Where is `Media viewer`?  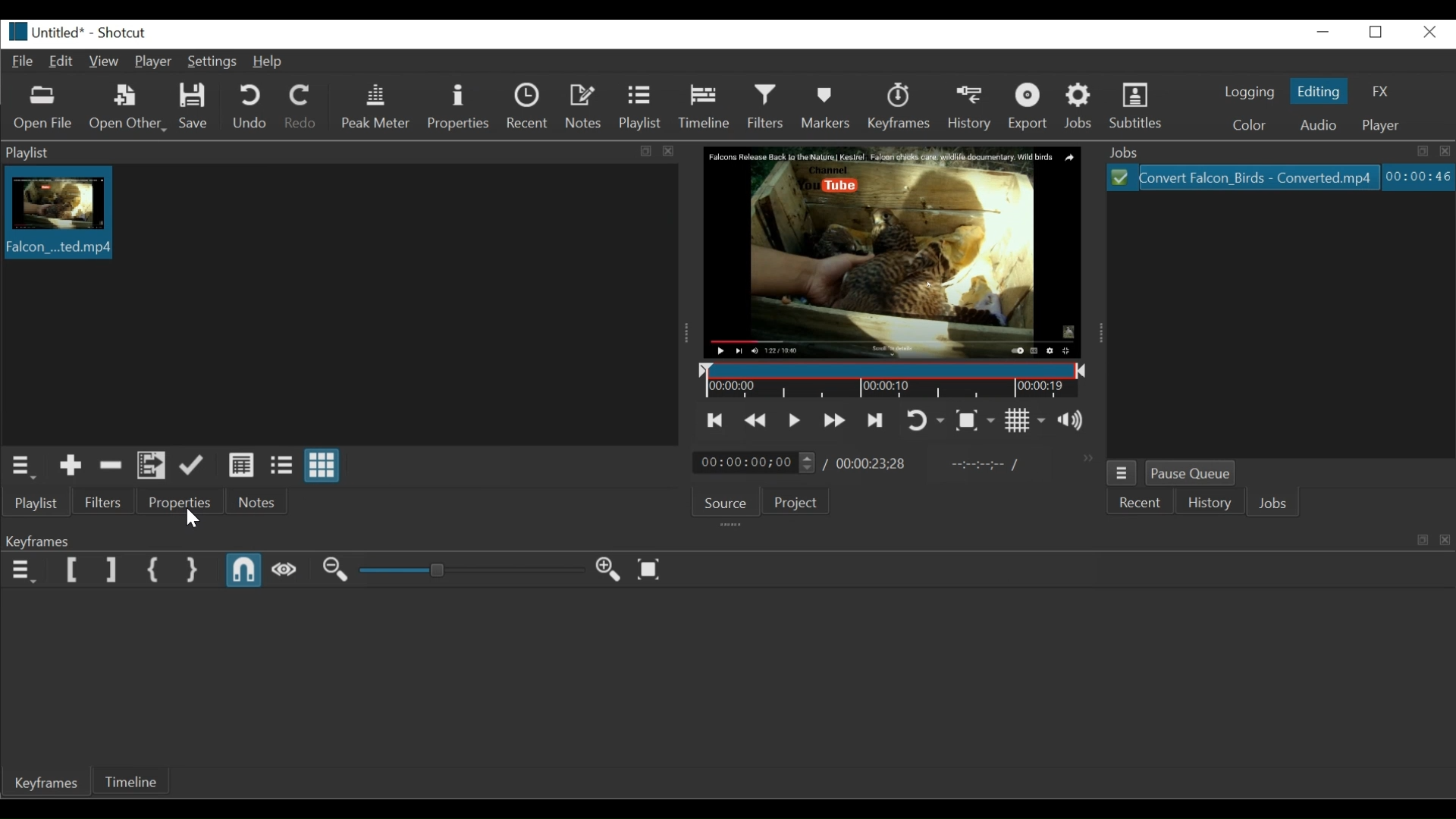
Media viewer is located at coordinates (890, 252).